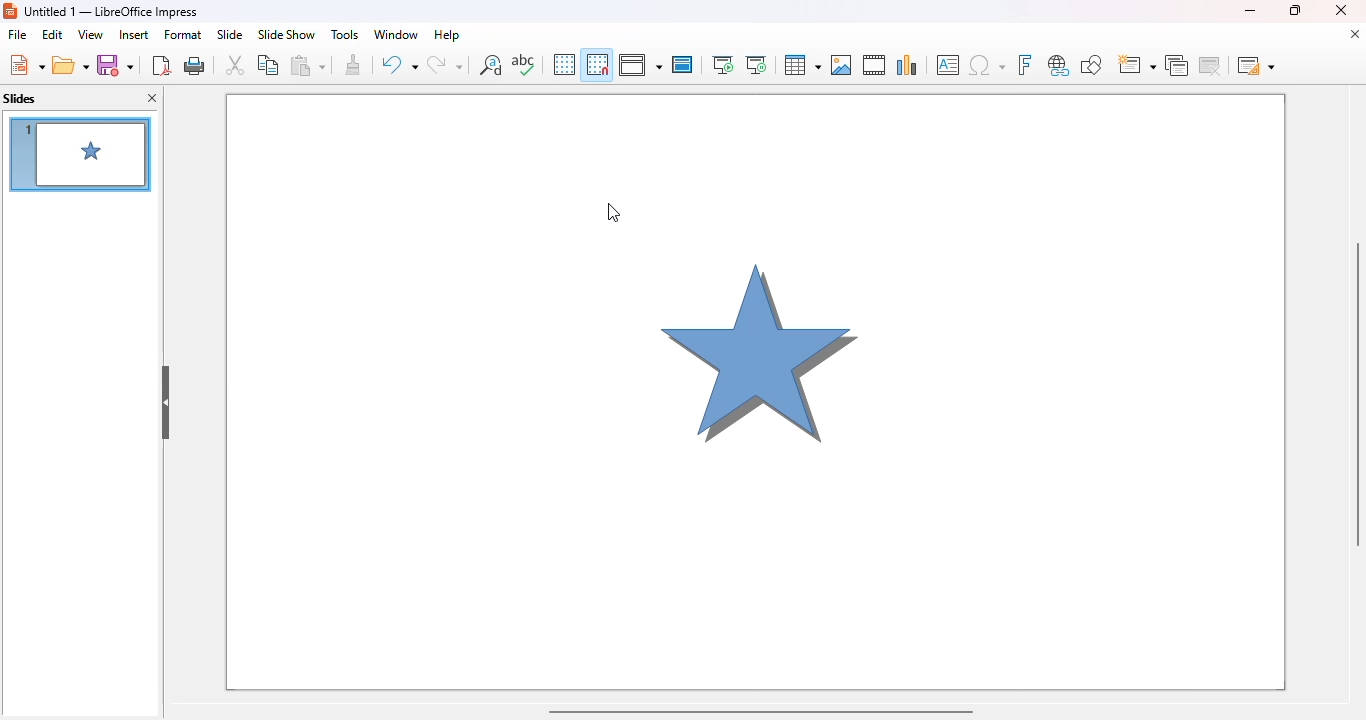 This screenshot has width=1366, height=720. I want to click on cut, so click(236, 65).